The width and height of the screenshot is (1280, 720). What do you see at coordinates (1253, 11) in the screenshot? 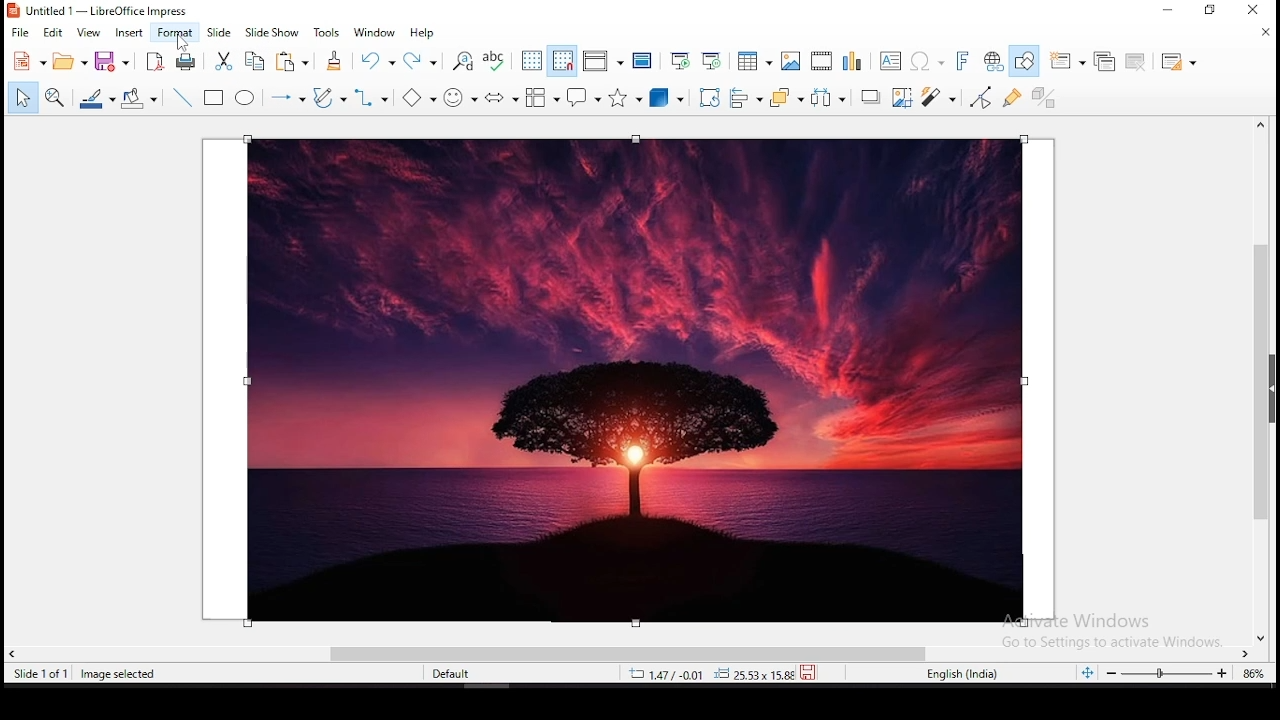
I see `close window` at bounding box center [1253, 11].